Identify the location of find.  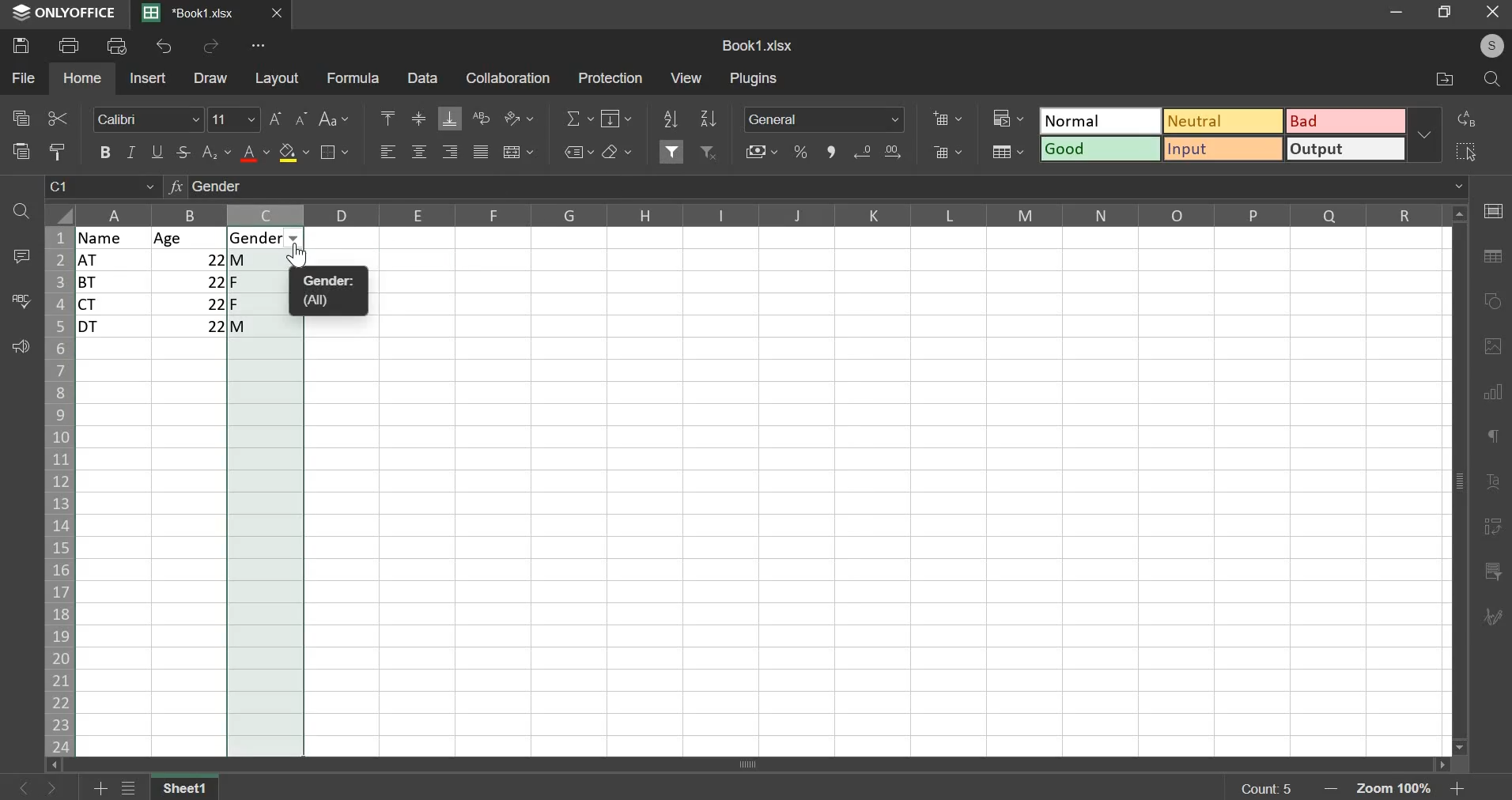
(1491, 80).